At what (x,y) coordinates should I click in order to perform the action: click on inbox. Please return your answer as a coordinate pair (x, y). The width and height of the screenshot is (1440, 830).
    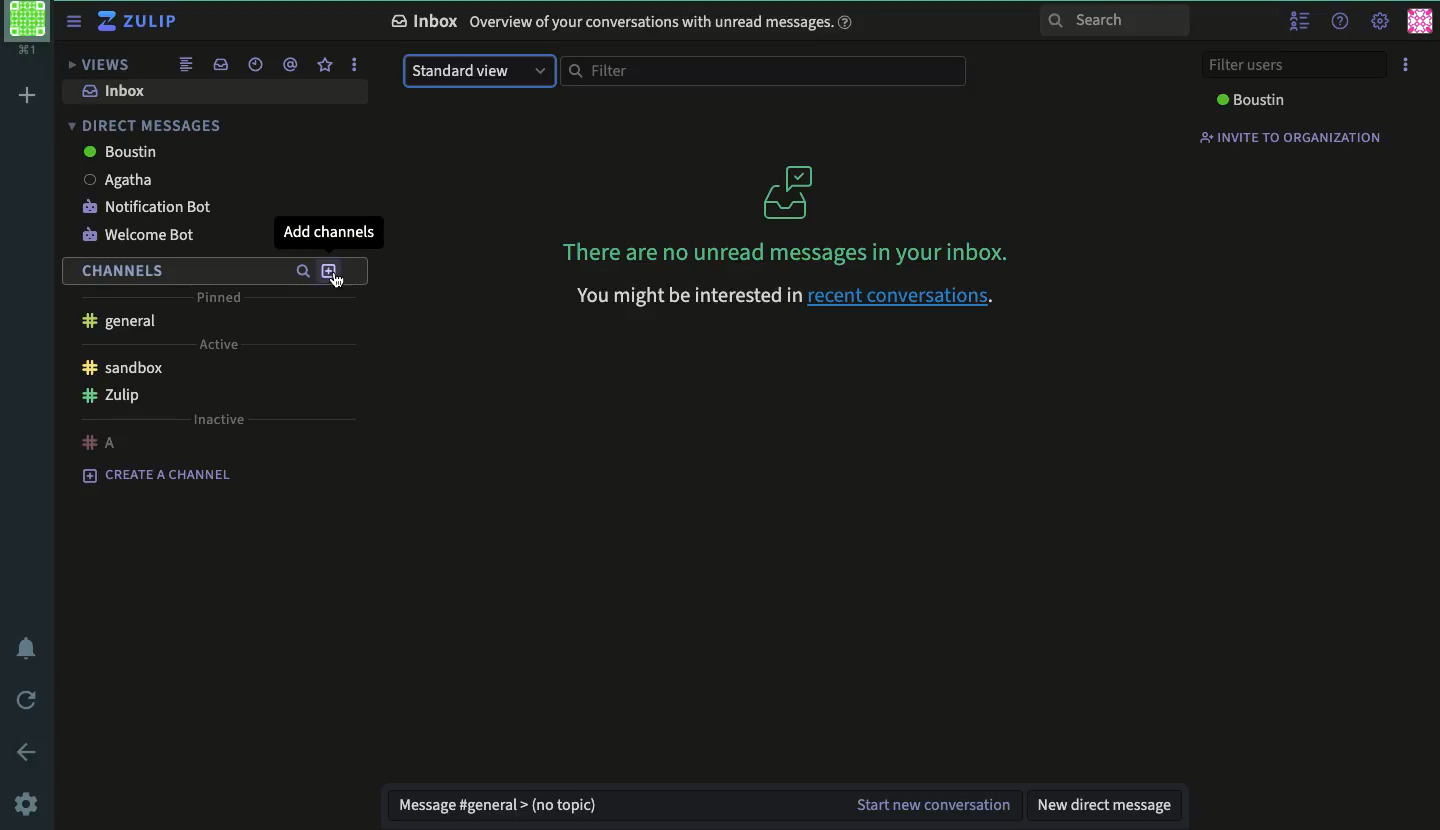
    Looking at the image, I should click on (112, 91).